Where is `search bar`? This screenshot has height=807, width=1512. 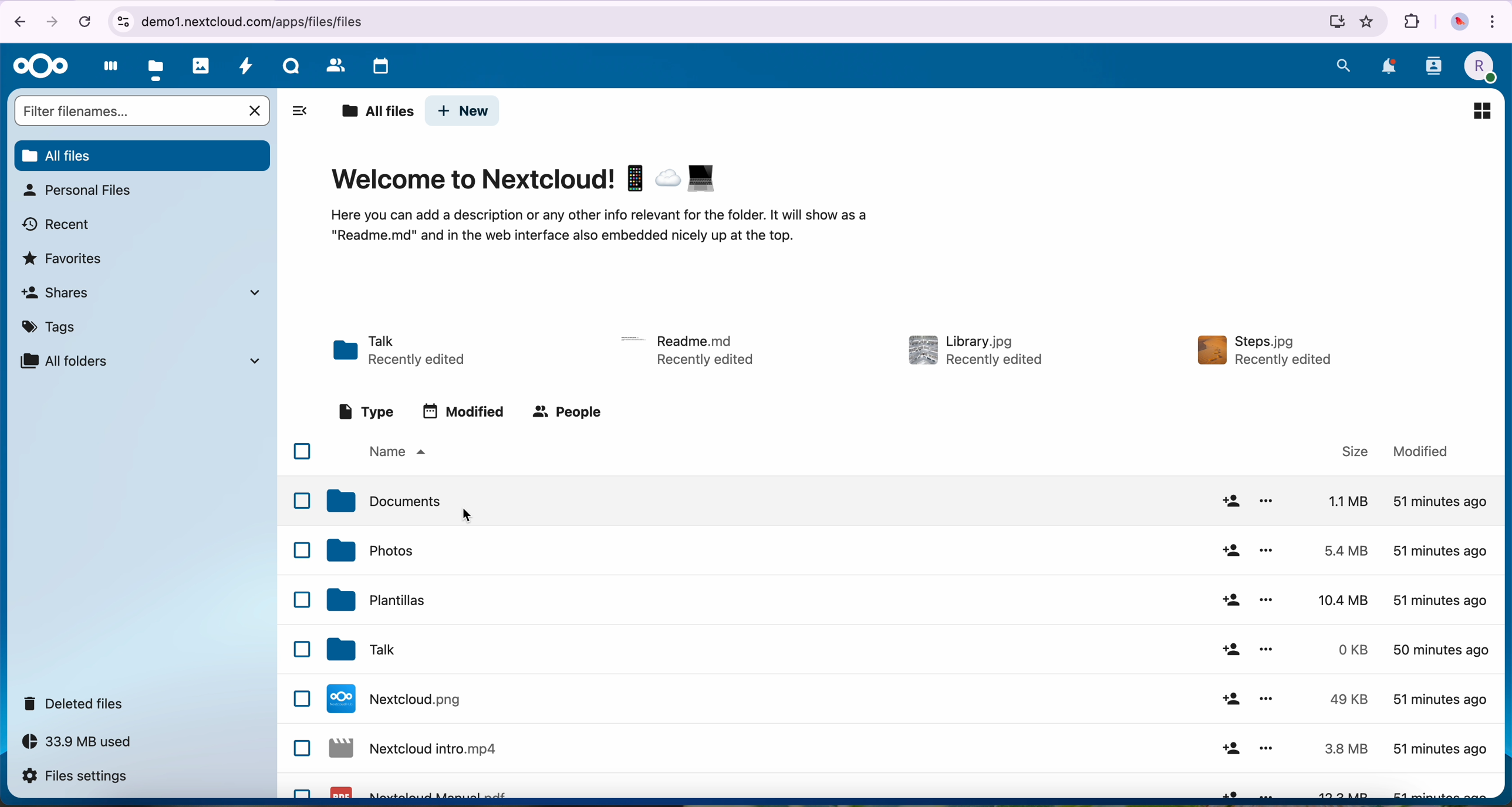
search bar is located at coordinates (127, 110).